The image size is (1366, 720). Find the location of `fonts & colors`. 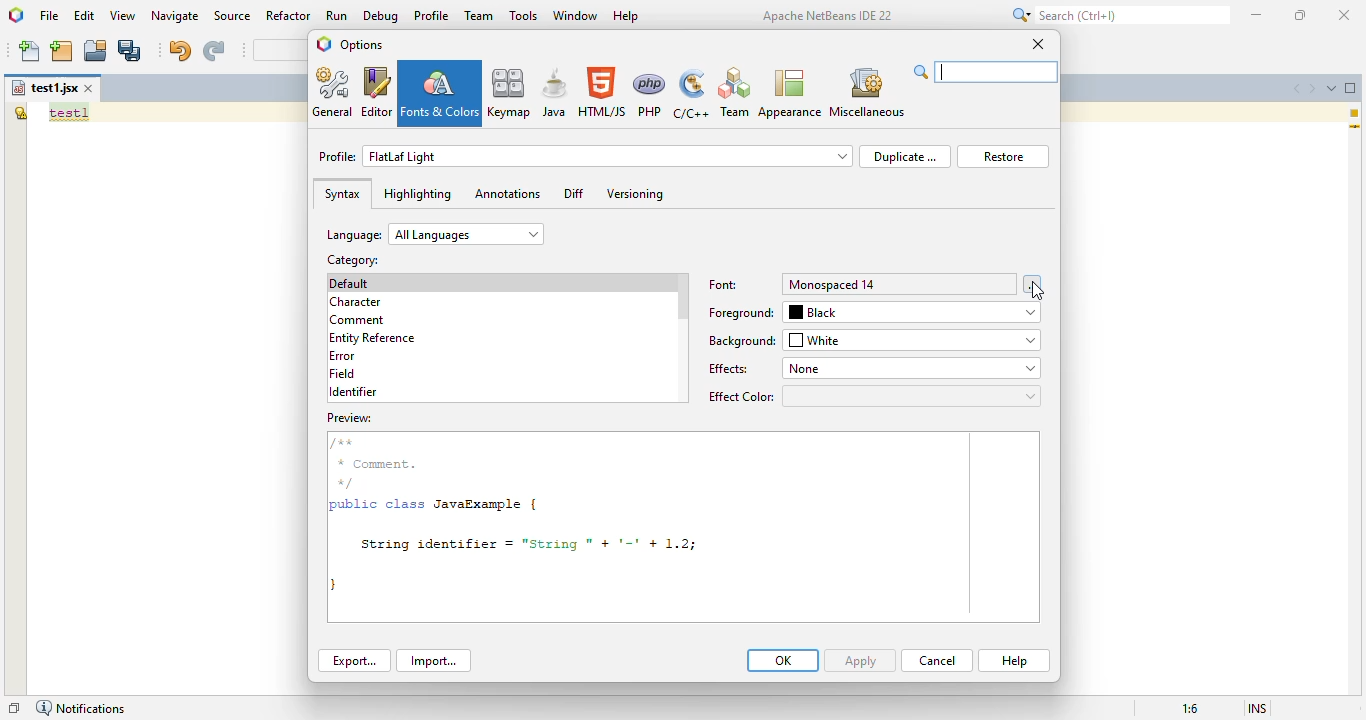

fonts & colors is located at coordinates (441, 93).